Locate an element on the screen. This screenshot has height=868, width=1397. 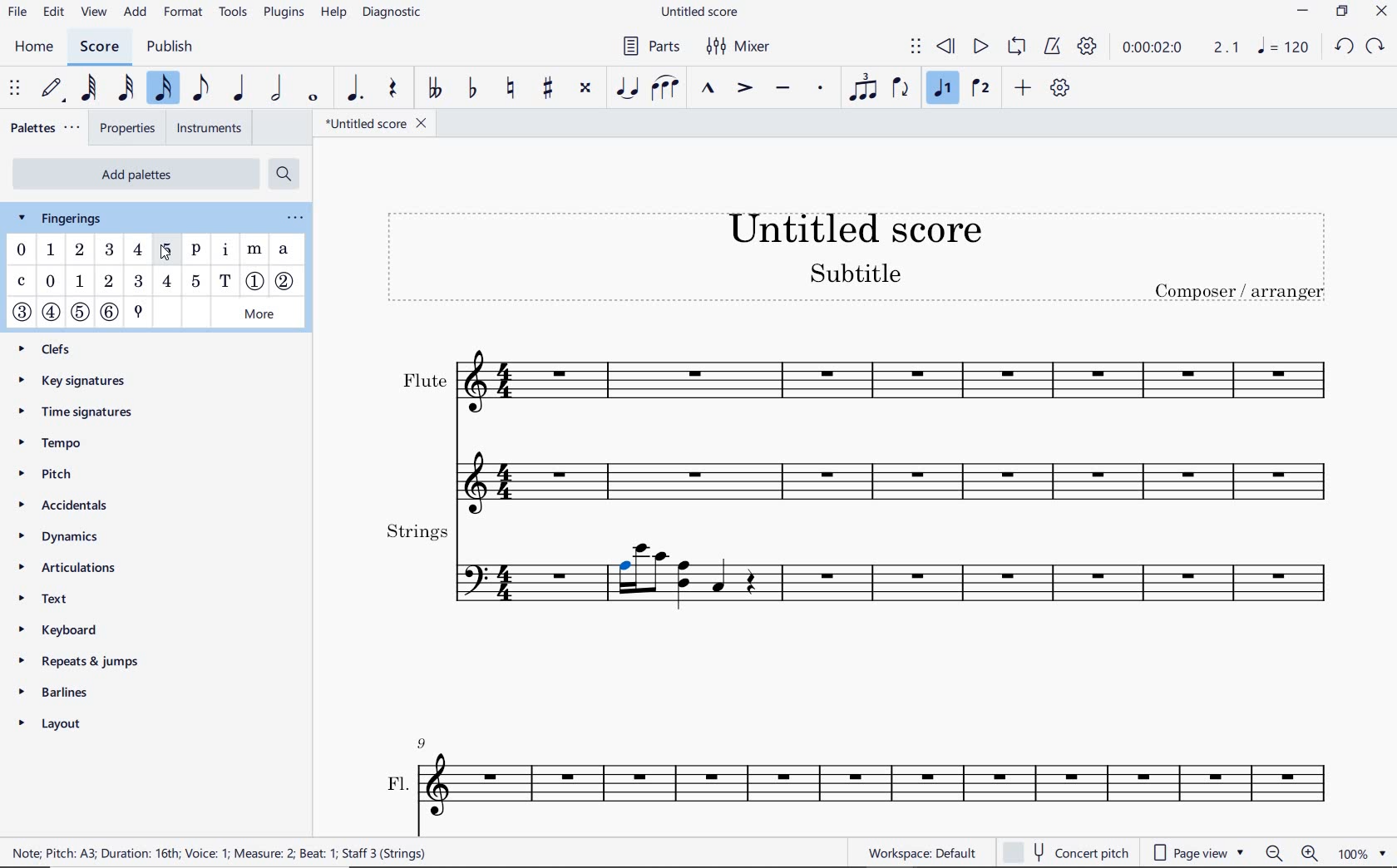
help is located at coordinates (334, 16).